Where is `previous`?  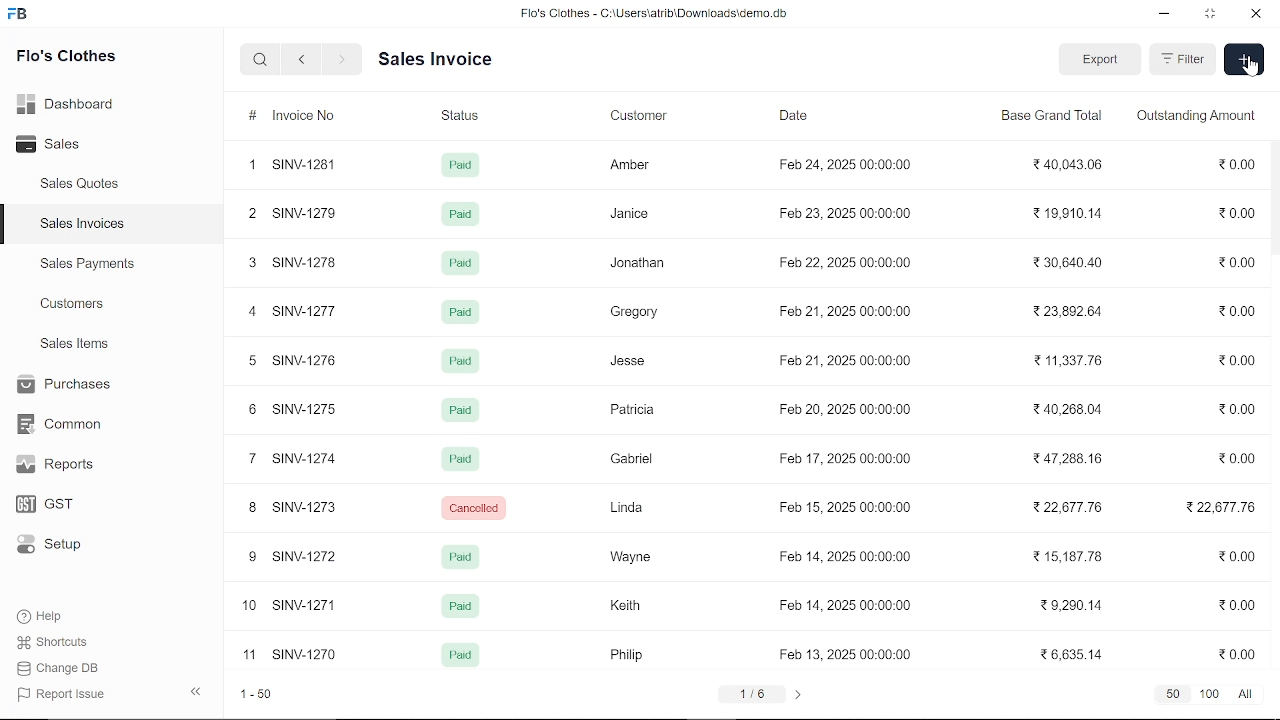
previous is located at coordinates (194, 692).